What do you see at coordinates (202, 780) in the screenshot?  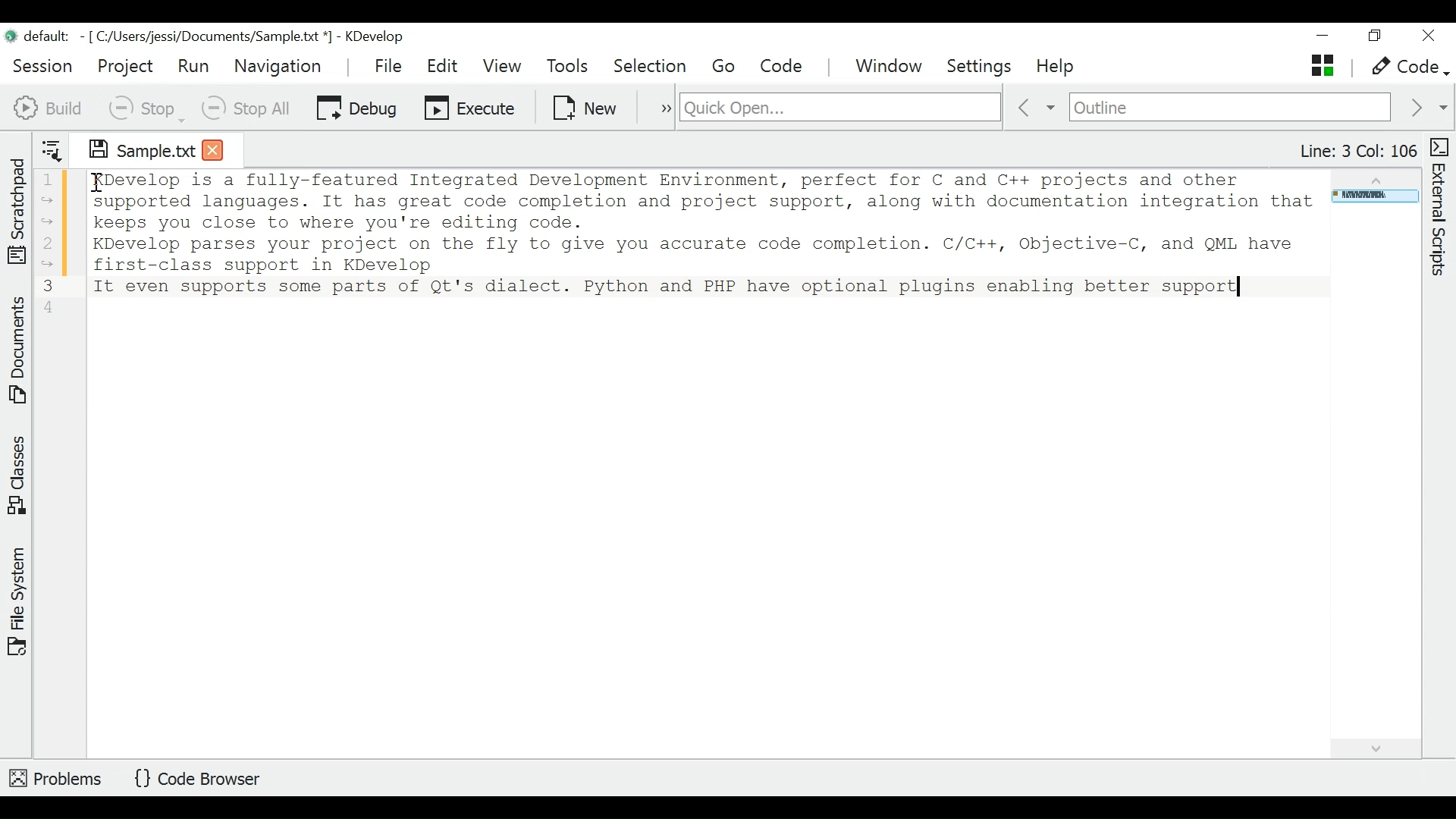 I see `Code Browser` at bounding box center [202, 780].